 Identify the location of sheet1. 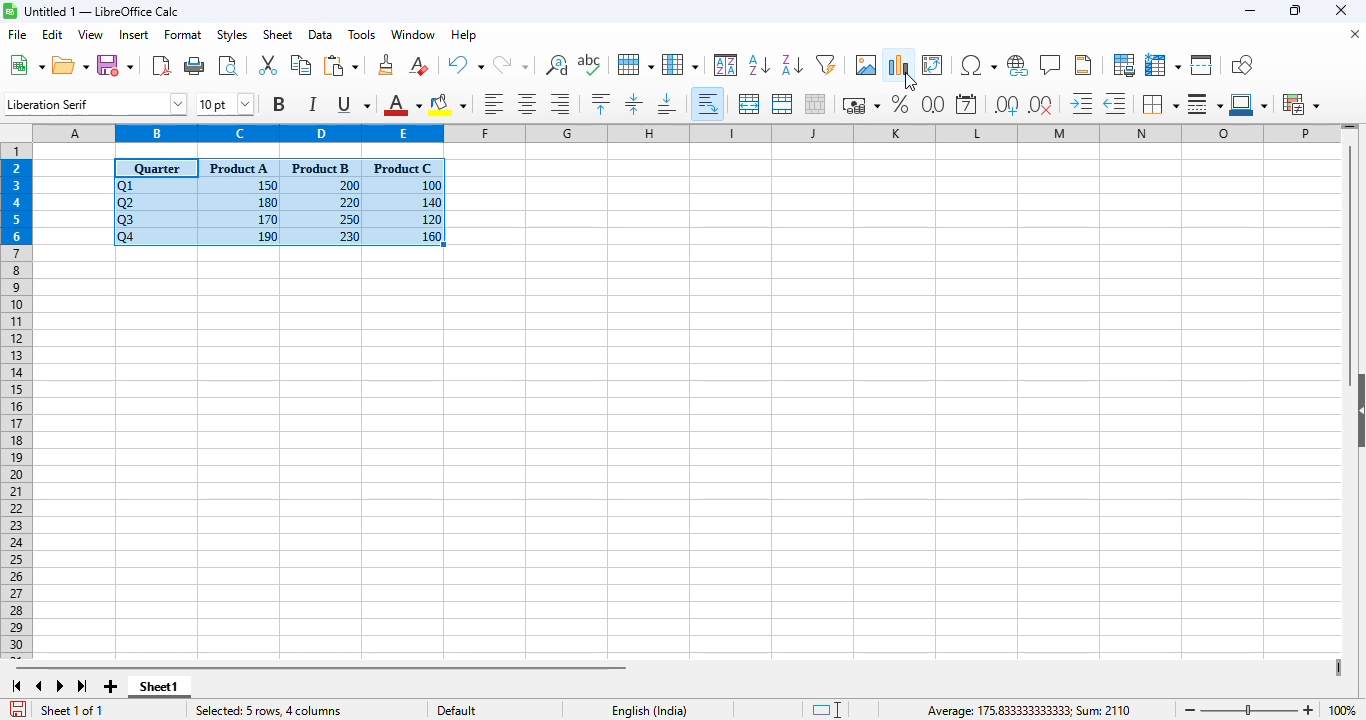
(159, 687).